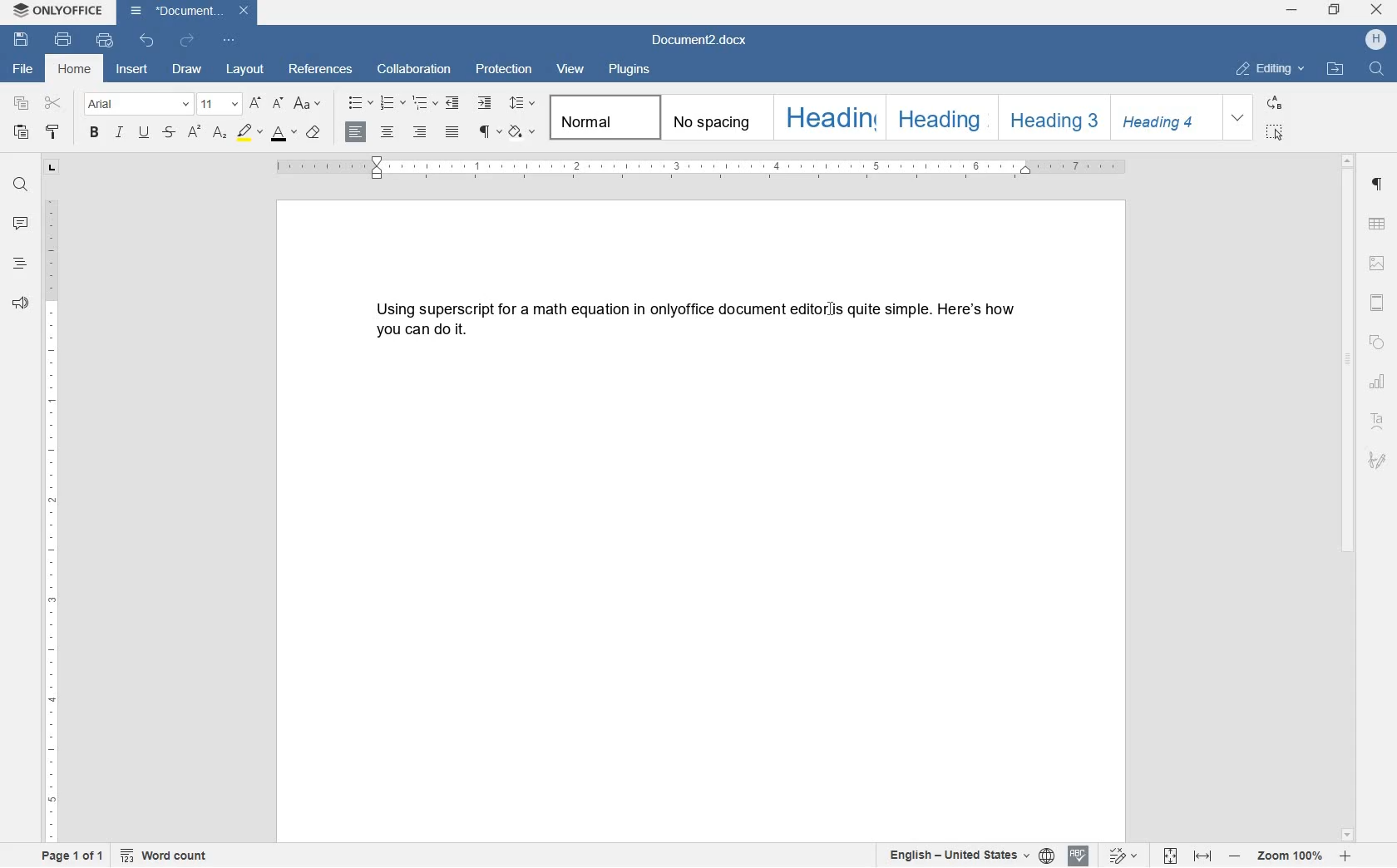 The height and width of the screenshot is (868, 1397). Describe the element at coordinates (1077, 856) in the screenshot. I see `spell check` at that location.